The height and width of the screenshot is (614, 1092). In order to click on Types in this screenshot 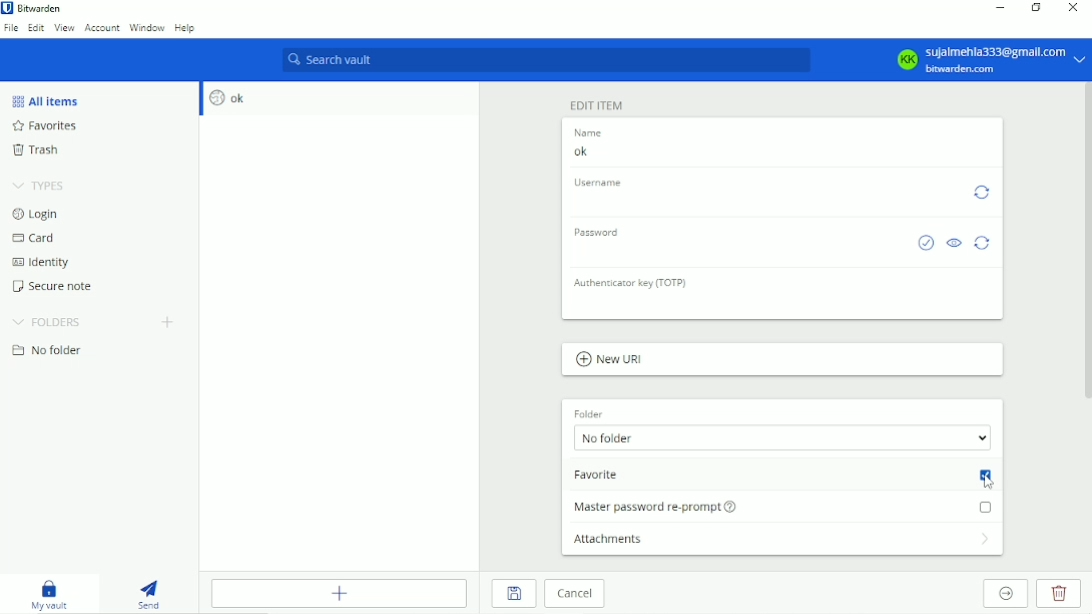, I will do `click(37, 186)`.